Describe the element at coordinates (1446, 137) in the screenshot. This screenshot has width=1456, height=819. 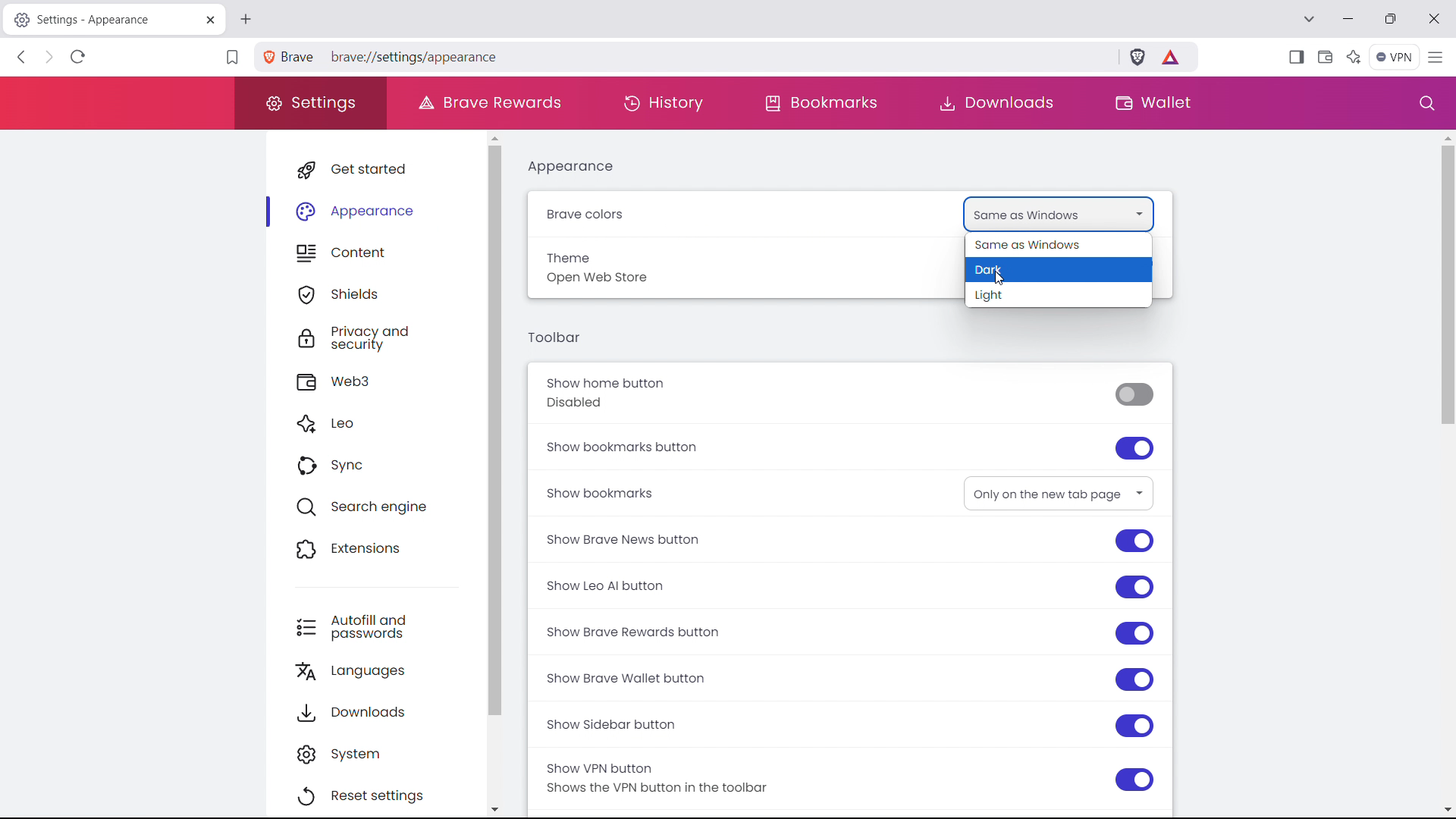
I see `scroll up` at that location.